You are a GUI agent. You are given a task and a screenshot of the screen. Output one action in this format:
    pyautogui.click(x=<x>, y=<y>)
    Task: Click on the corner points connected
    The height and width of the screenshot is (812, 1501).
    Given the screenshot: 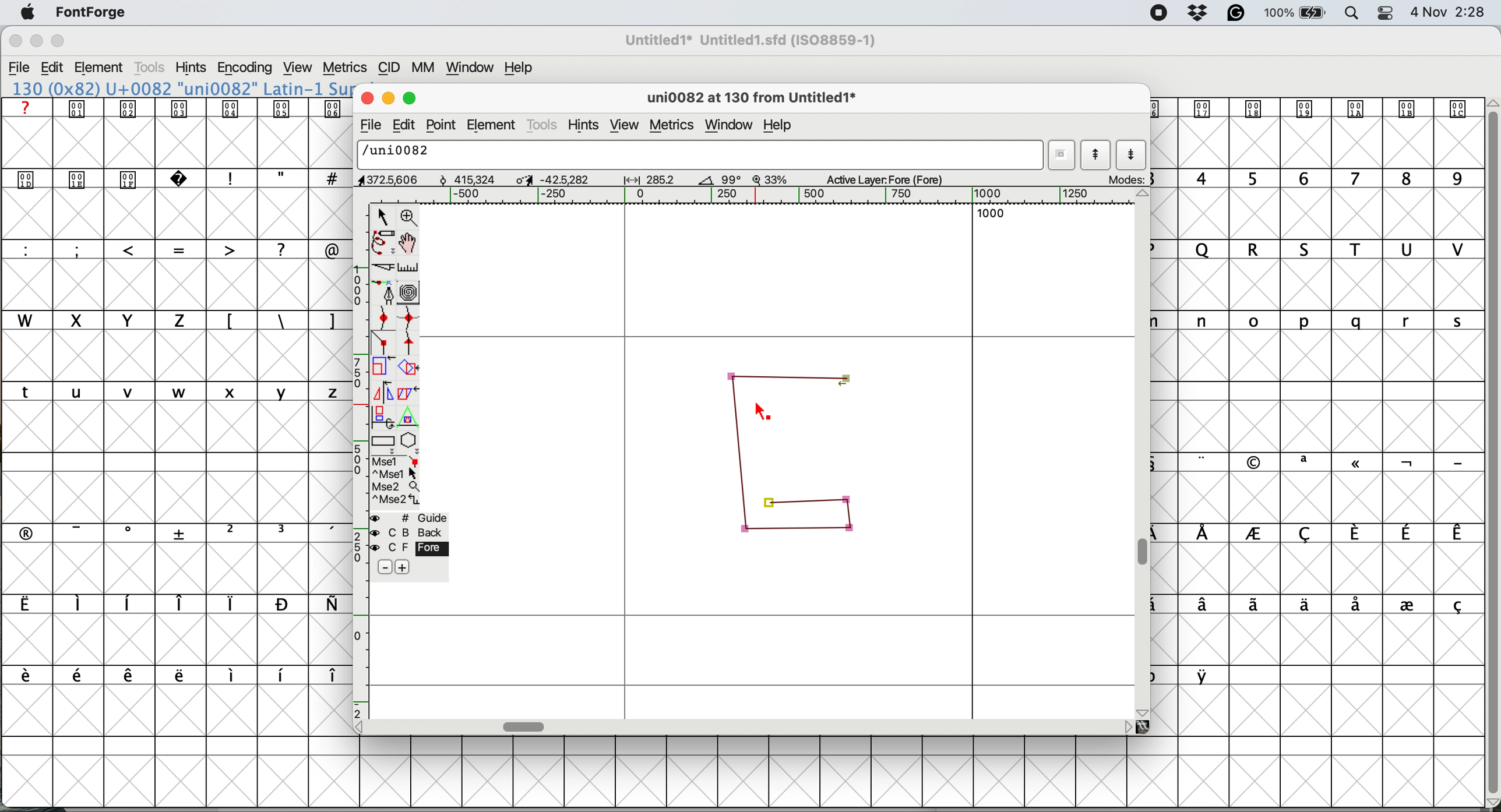 What is the action you would take?
    pyautogui.click(x=852, y=519)
    